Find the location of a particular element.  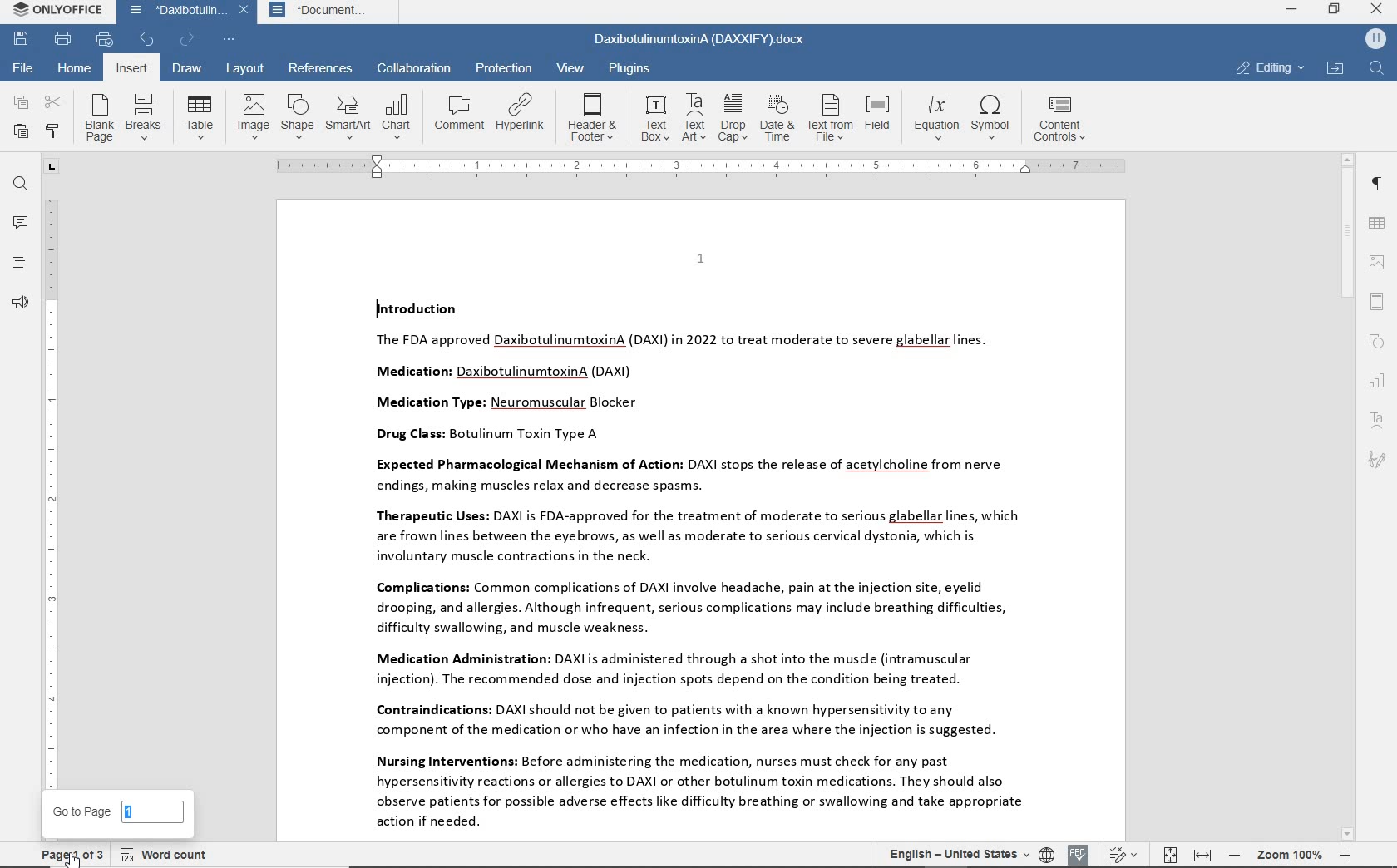

scrollbar is located at coordinates (1348, 498).